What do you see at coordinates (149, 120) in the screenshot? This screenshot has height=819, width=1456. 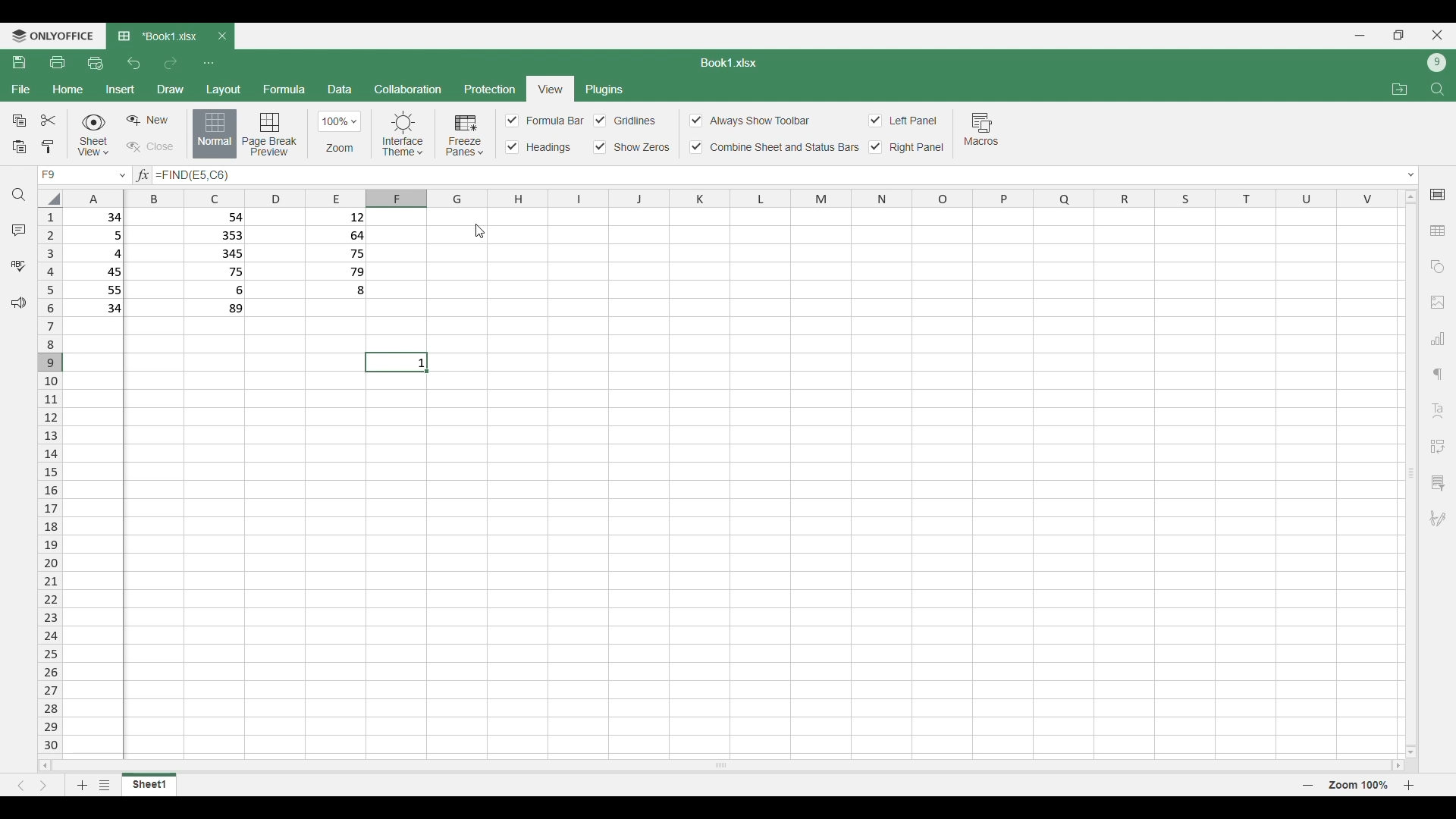 I see `Create sheet view` at bounding box center [149, 120].